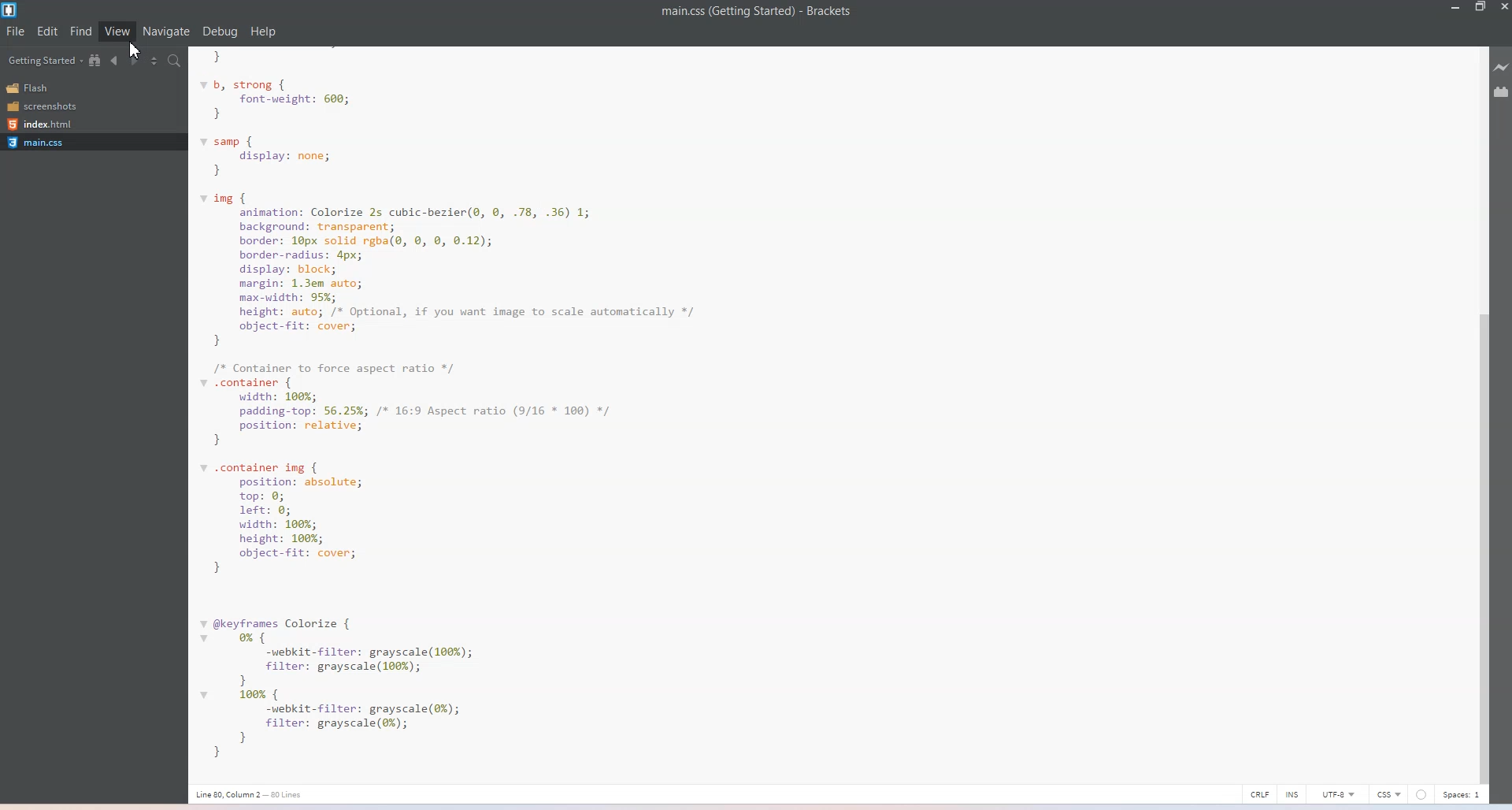  I want to click on Extension Manager, so click(1503, 93).